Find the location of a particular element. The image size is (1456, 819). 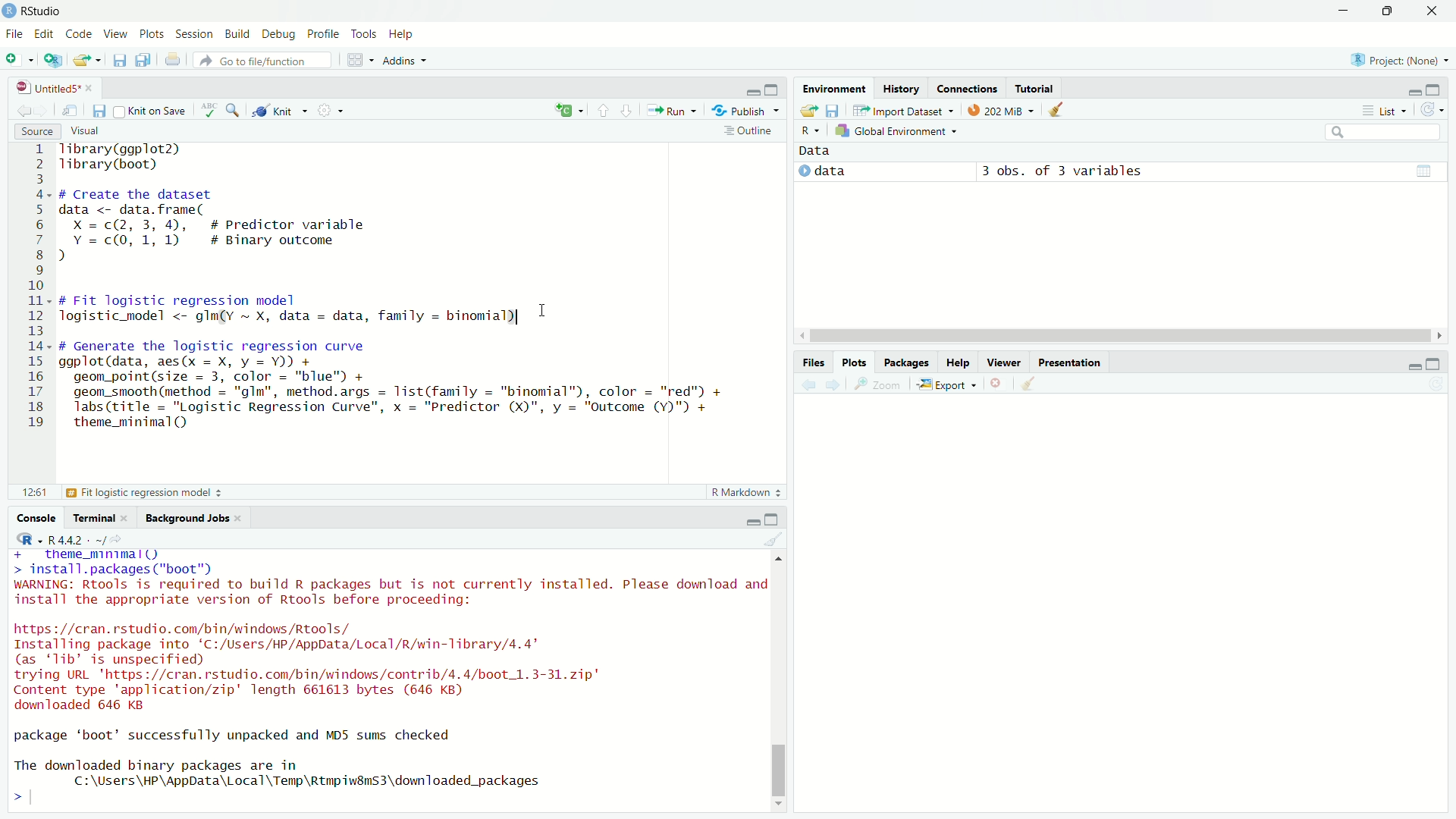

Refresh current plot is located at coordinates (1436, 384).